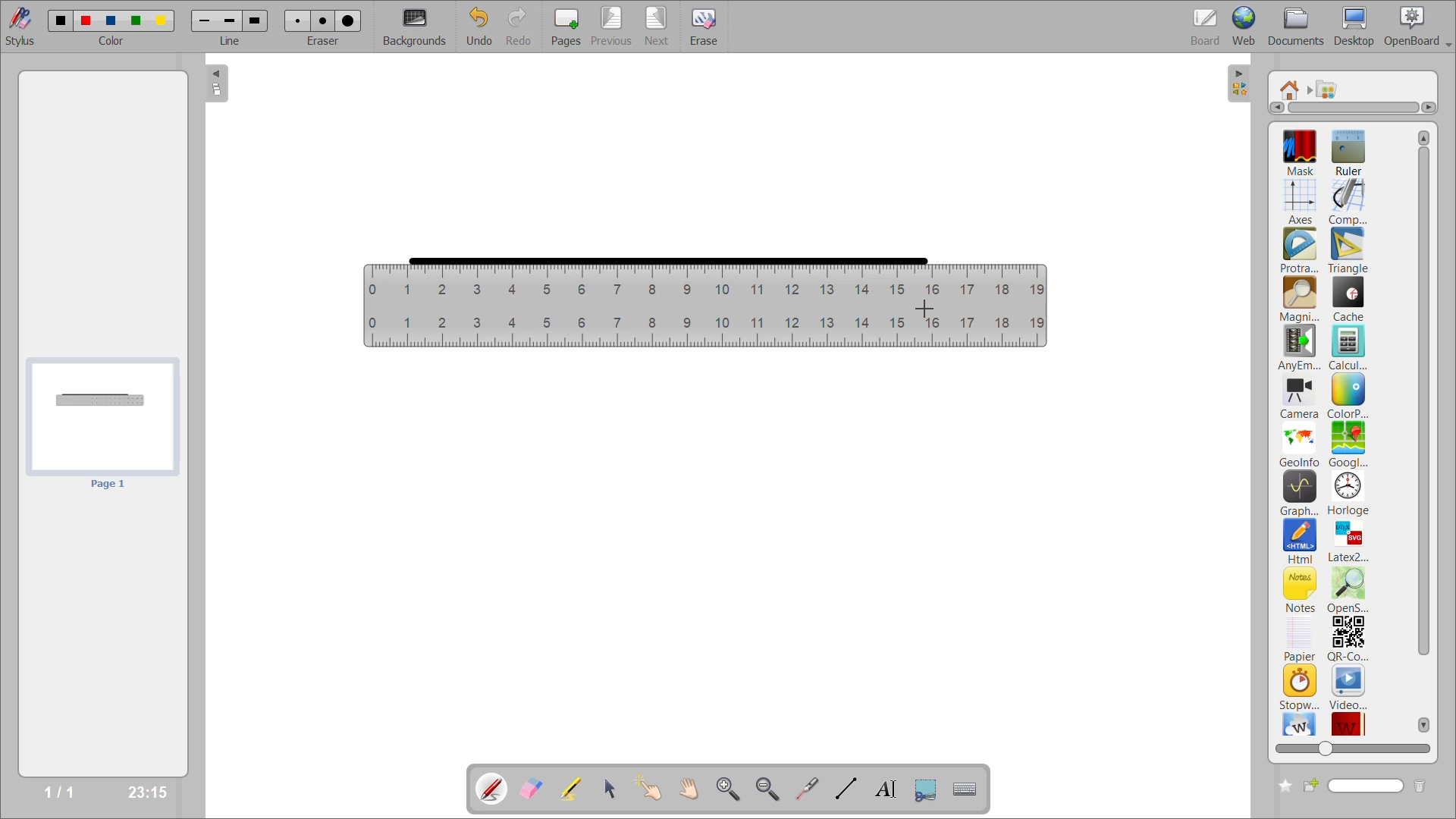 Image resolution: width=1456 pixels, height=819 pixels. What do you see at coordinates (324, 40) in the screenshot?
I see `eraser` at bounding box center [324, 40].